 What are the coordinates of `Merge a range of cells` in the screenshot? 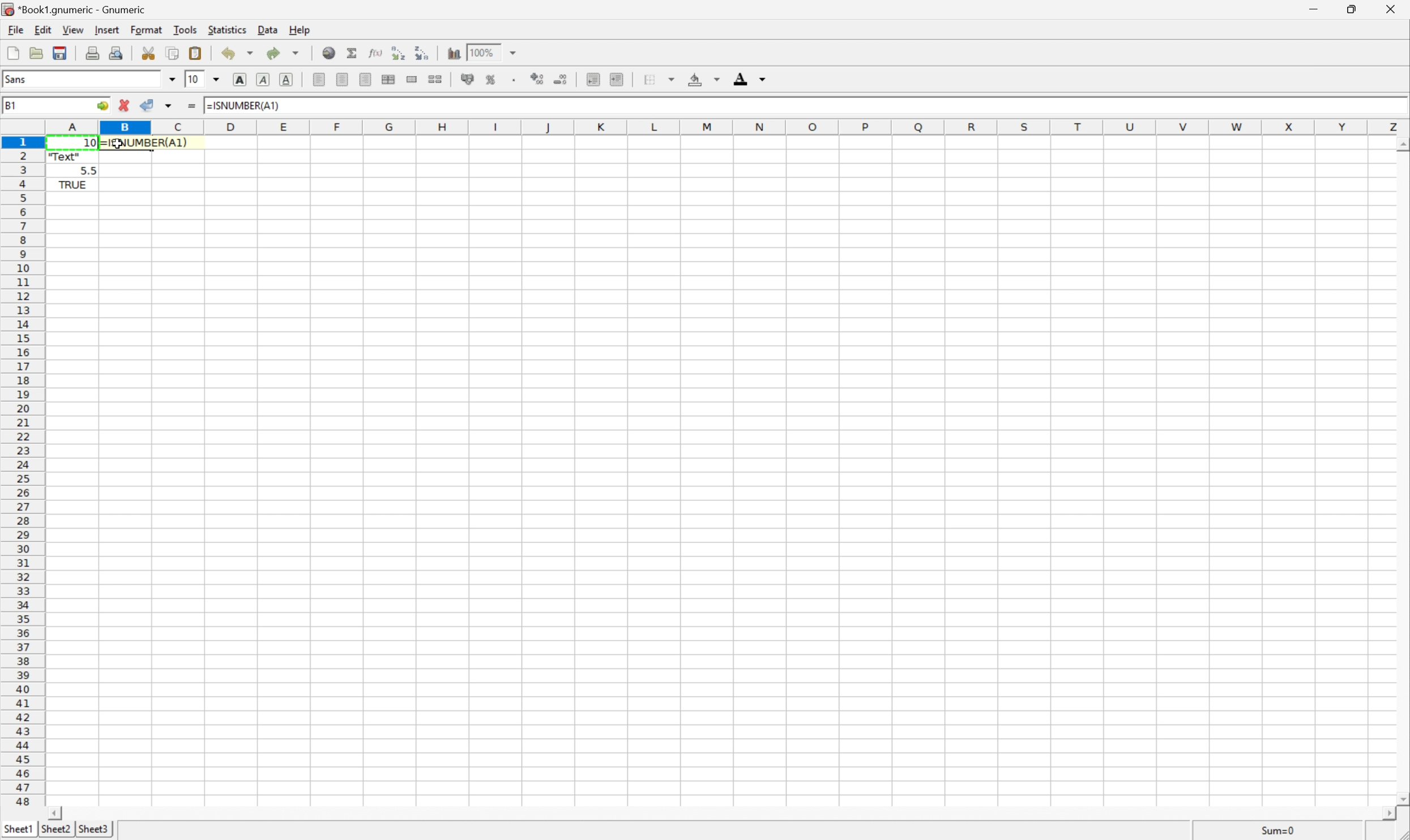 It's located at (413, 79).